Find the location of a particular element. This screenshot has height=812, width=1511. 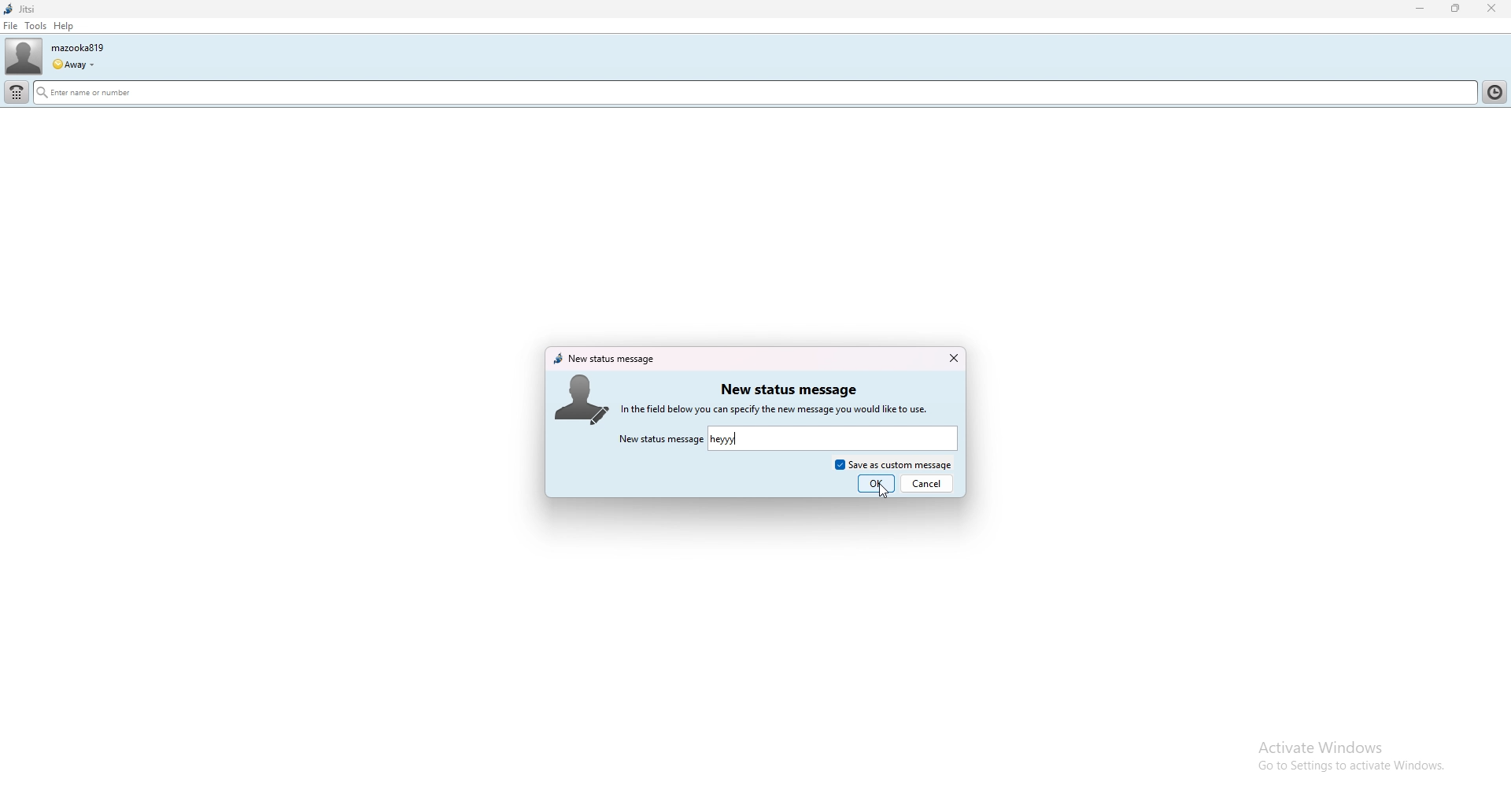

new status message is located at coordinates (660, 440).